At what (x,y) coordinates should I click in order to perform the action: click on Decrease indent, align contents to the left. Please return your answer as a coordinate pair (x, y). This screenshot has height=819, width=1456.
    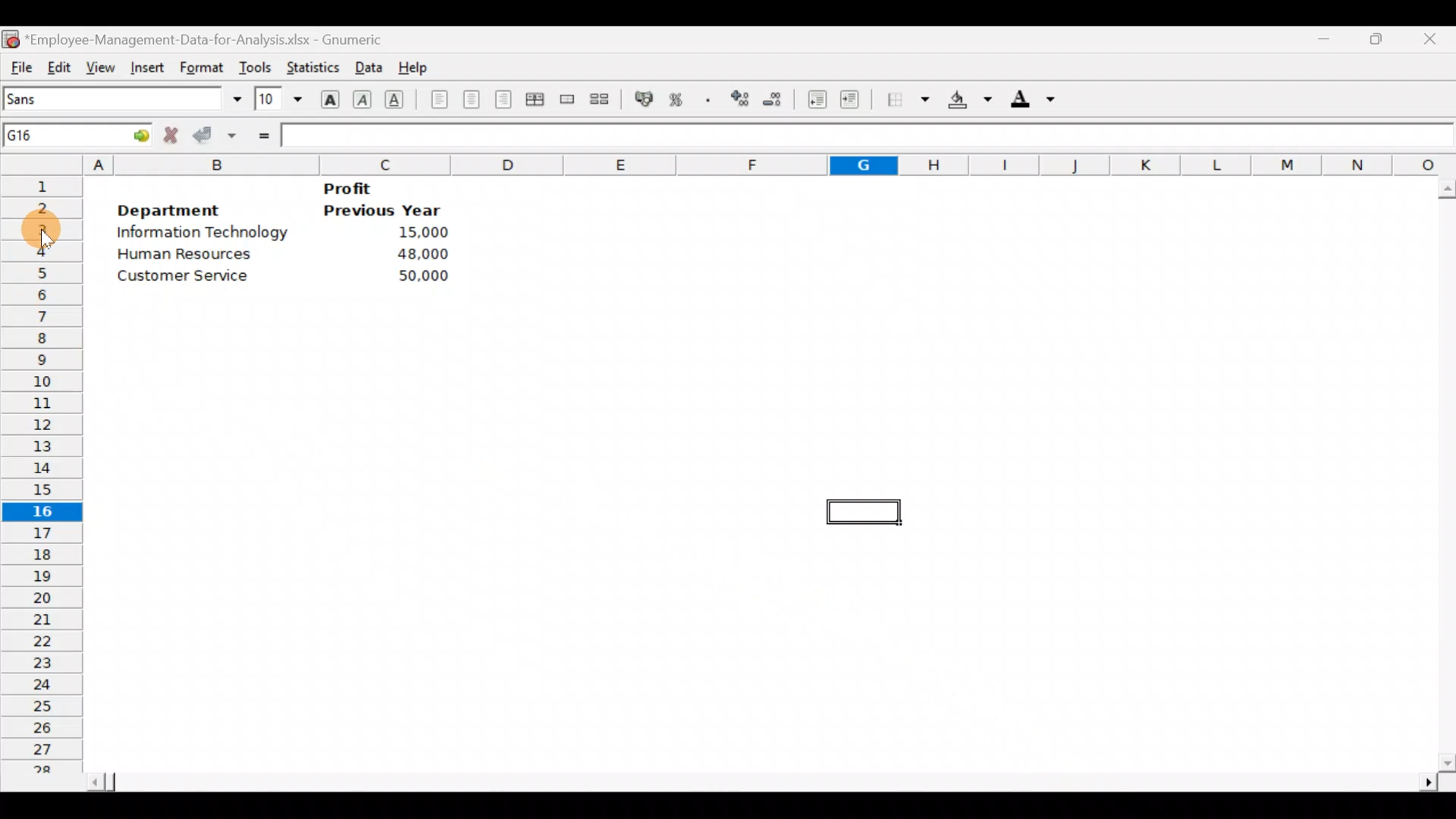
    Looking at the image, I should click on (819, 101).